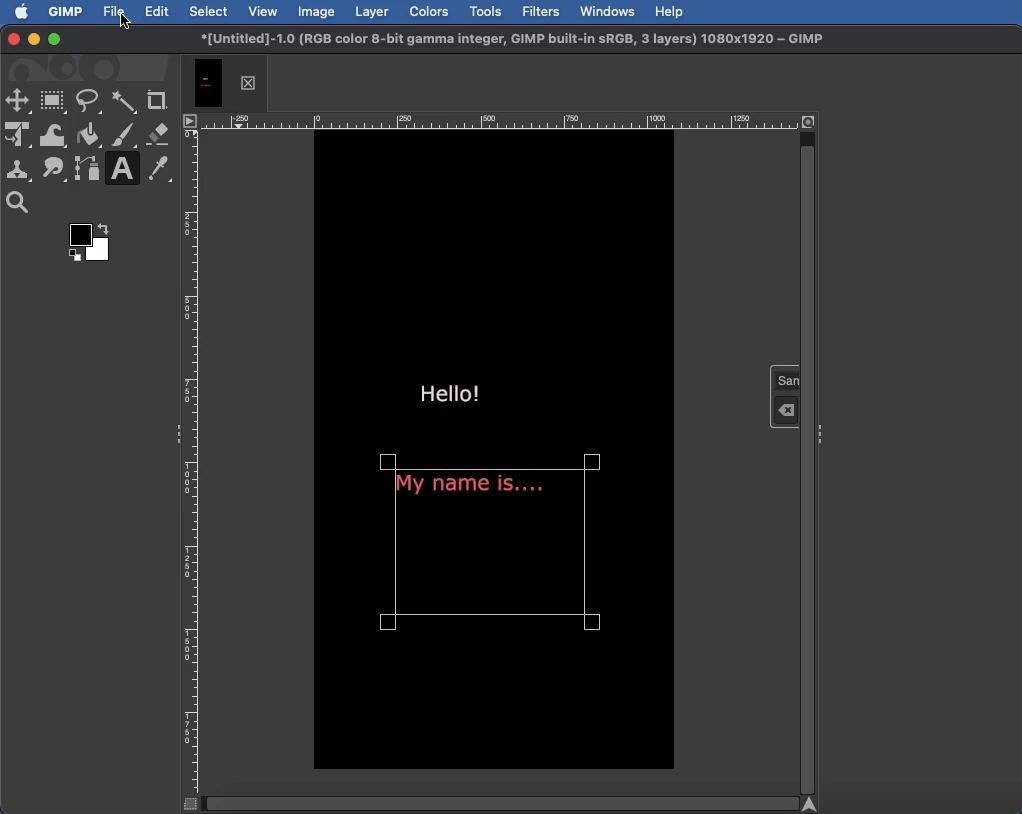 The image size is (1022, 814). I want to click on GIMP project, so click(511, 40).